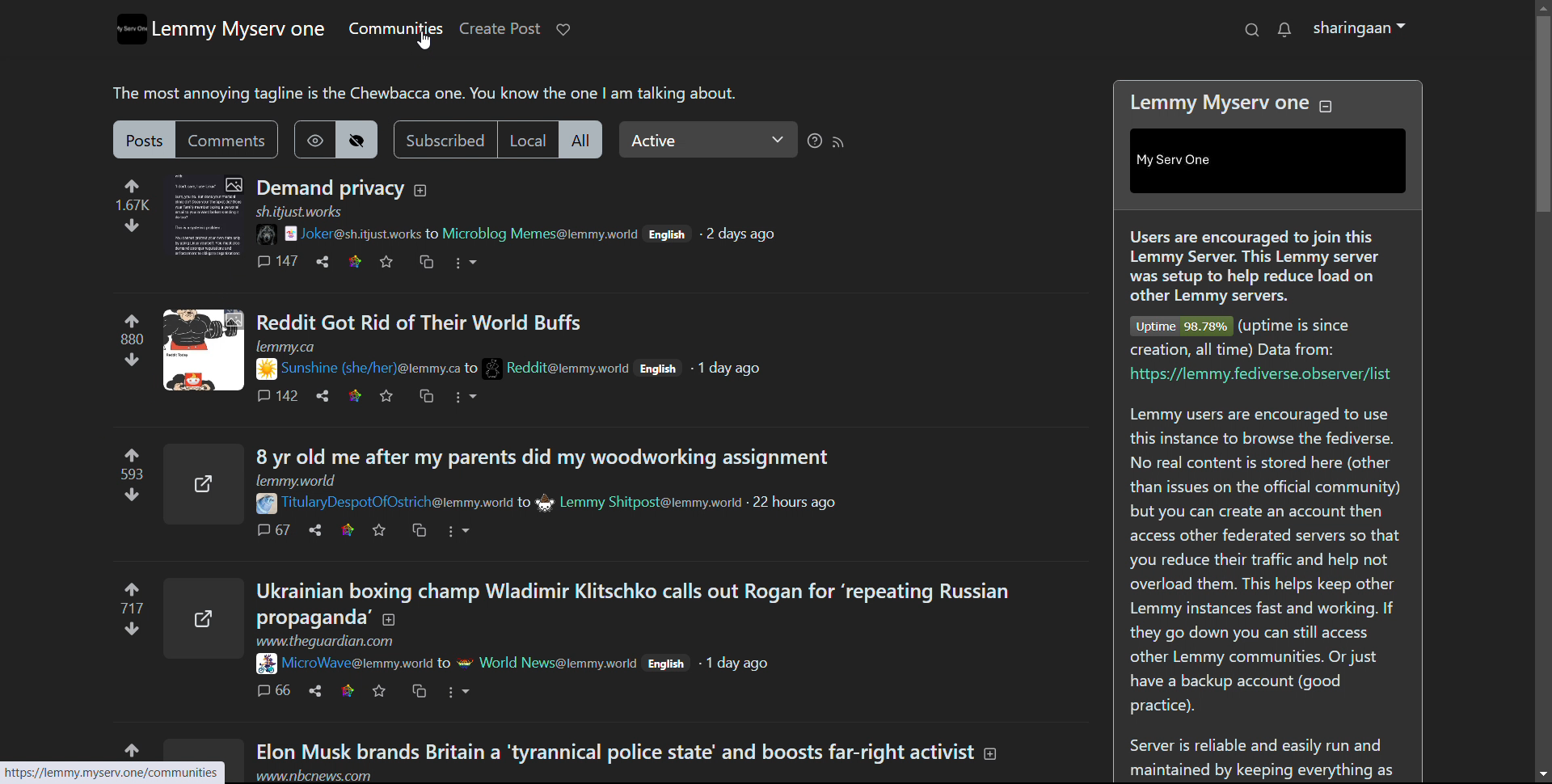 The height and width of the screenshot is (784, 1552). I want to click on more, so click(469, 398).